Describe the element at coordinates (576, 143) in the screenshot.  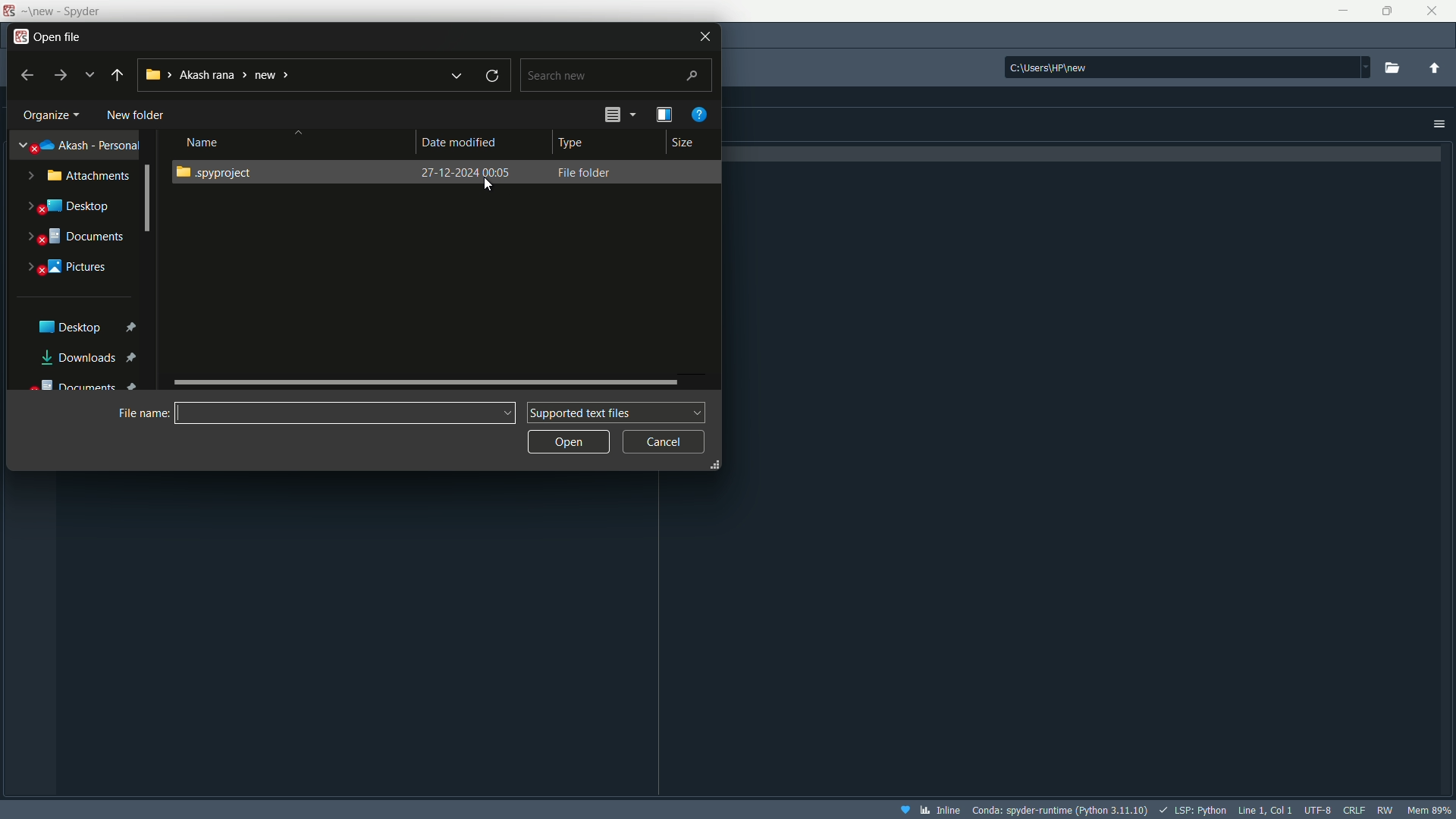
I see `Type` at that location.